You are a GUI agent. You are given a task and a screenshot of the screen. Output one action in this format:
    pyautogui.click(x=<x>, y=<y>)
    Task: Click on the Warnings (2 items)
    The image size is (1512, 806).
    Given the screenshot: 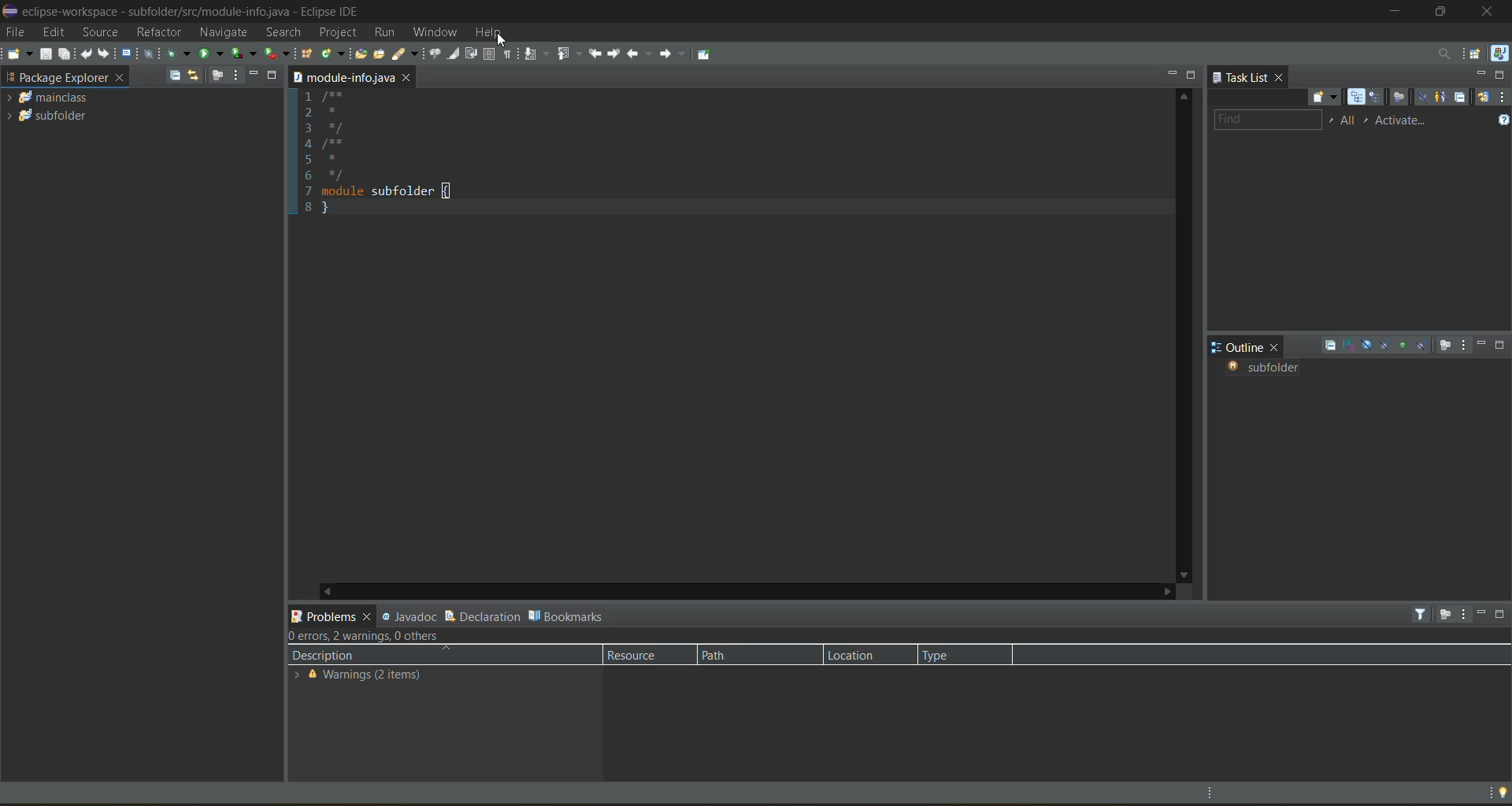 What is the action you would take?
    pyautogui.click(x=358, y=678)
    